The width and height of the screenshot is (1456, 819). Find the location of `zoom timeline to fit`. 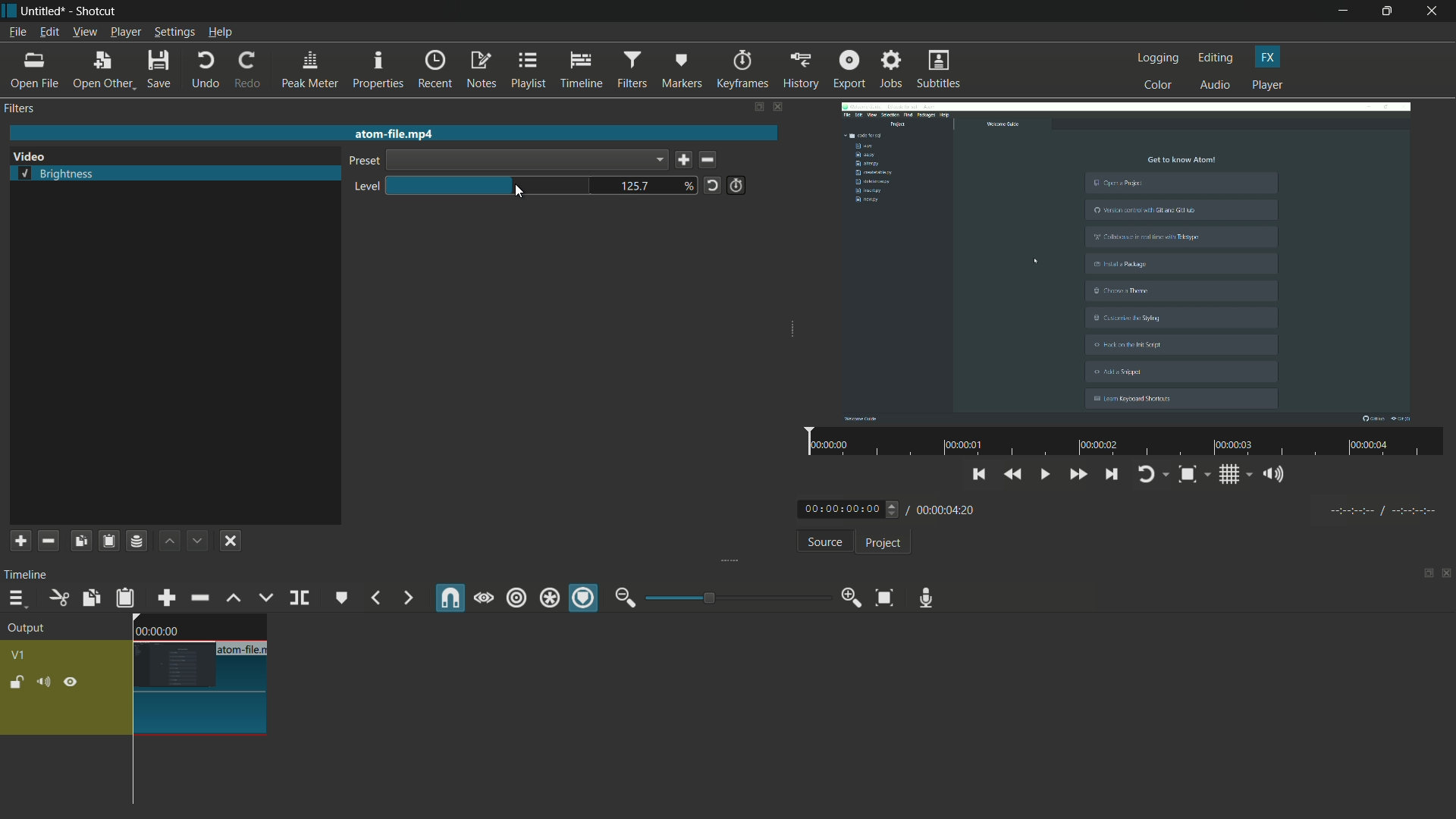

zoom timeline to fit is located at coordinates (884, 597).